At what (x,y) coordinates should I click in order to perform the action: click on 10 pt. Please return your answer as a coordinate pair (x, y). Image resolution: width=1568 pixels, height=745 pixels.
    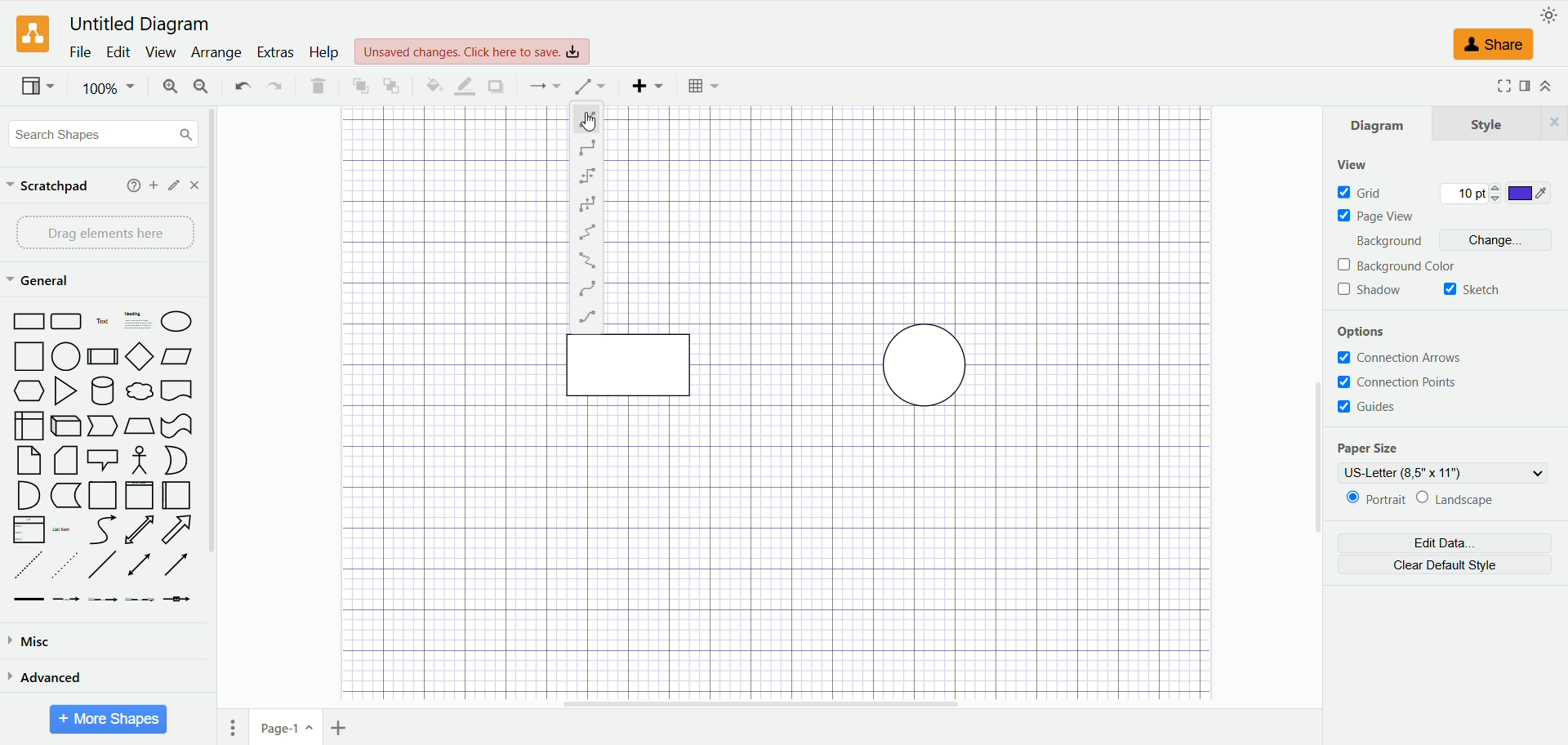
    Looking at the image, I should click on (1471, 191).